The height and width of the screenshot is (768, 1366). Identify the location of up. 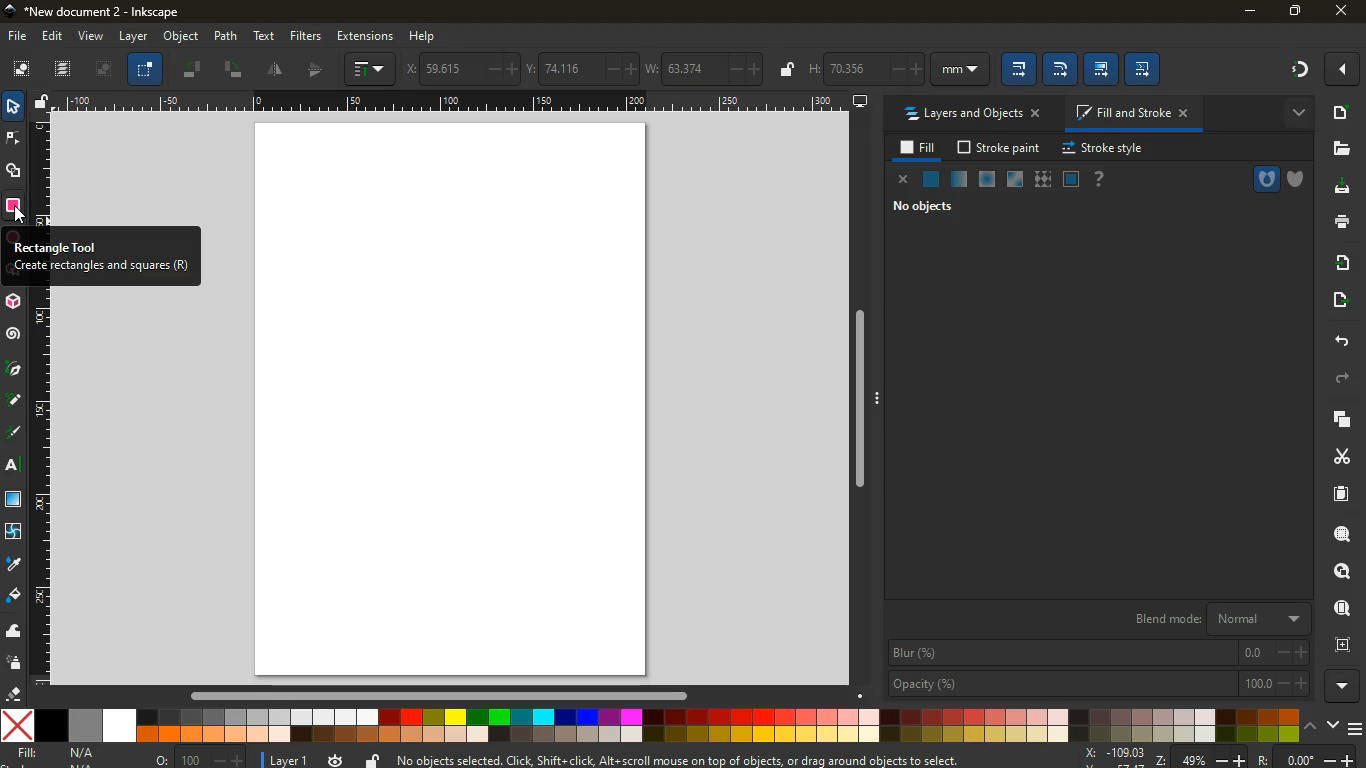
(1313, 727).